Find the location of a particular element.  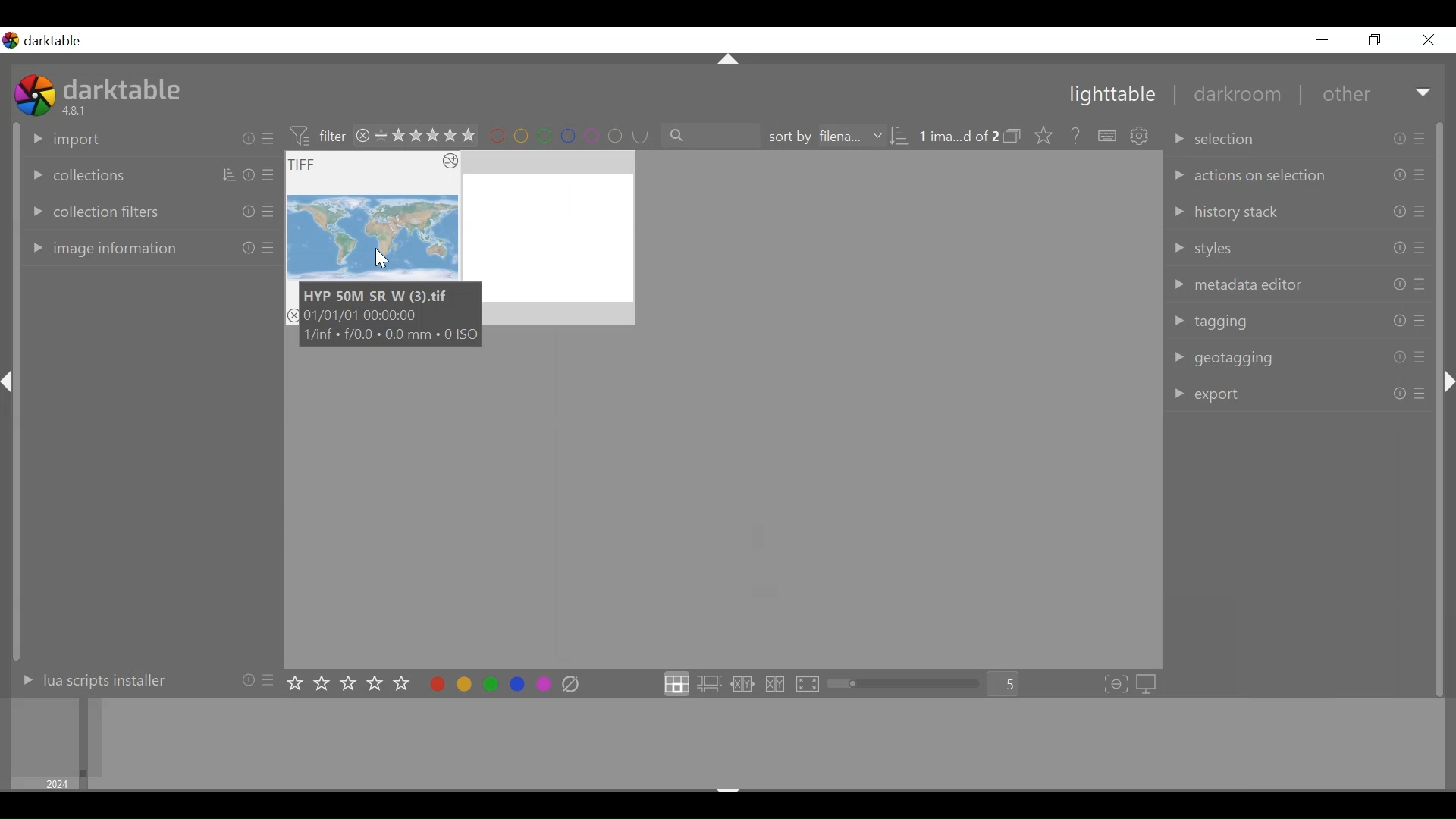

hide is located at coordinates (1447, 384).